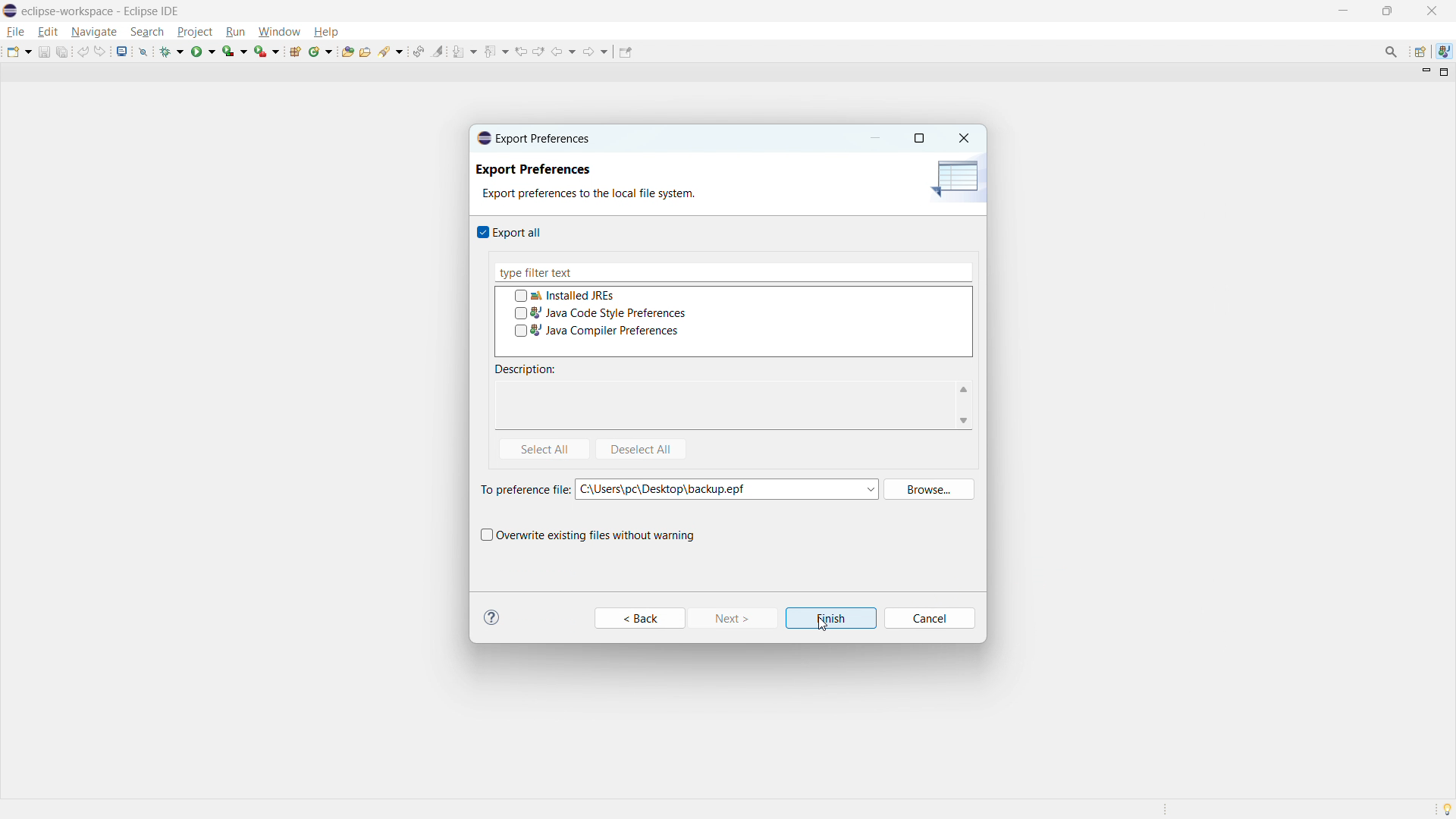 This screenshot has height=819, width=1456. What do you see at coordinates (588, 535) in the screenshot?
I see `overwrite existing files without warning` at bounding box center [588, 535].